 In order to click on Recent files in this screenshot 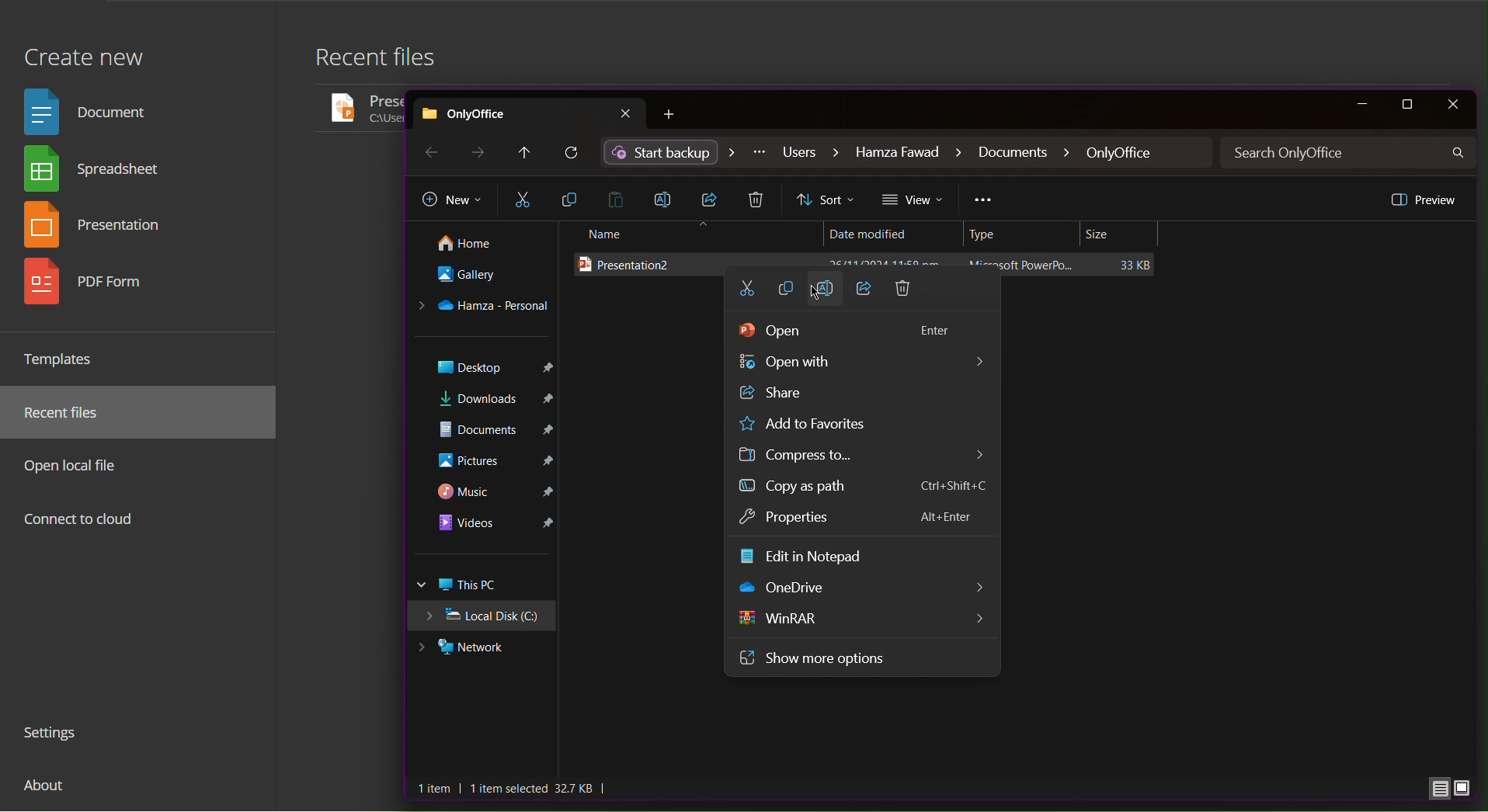, I will do `click(385, 61)`.